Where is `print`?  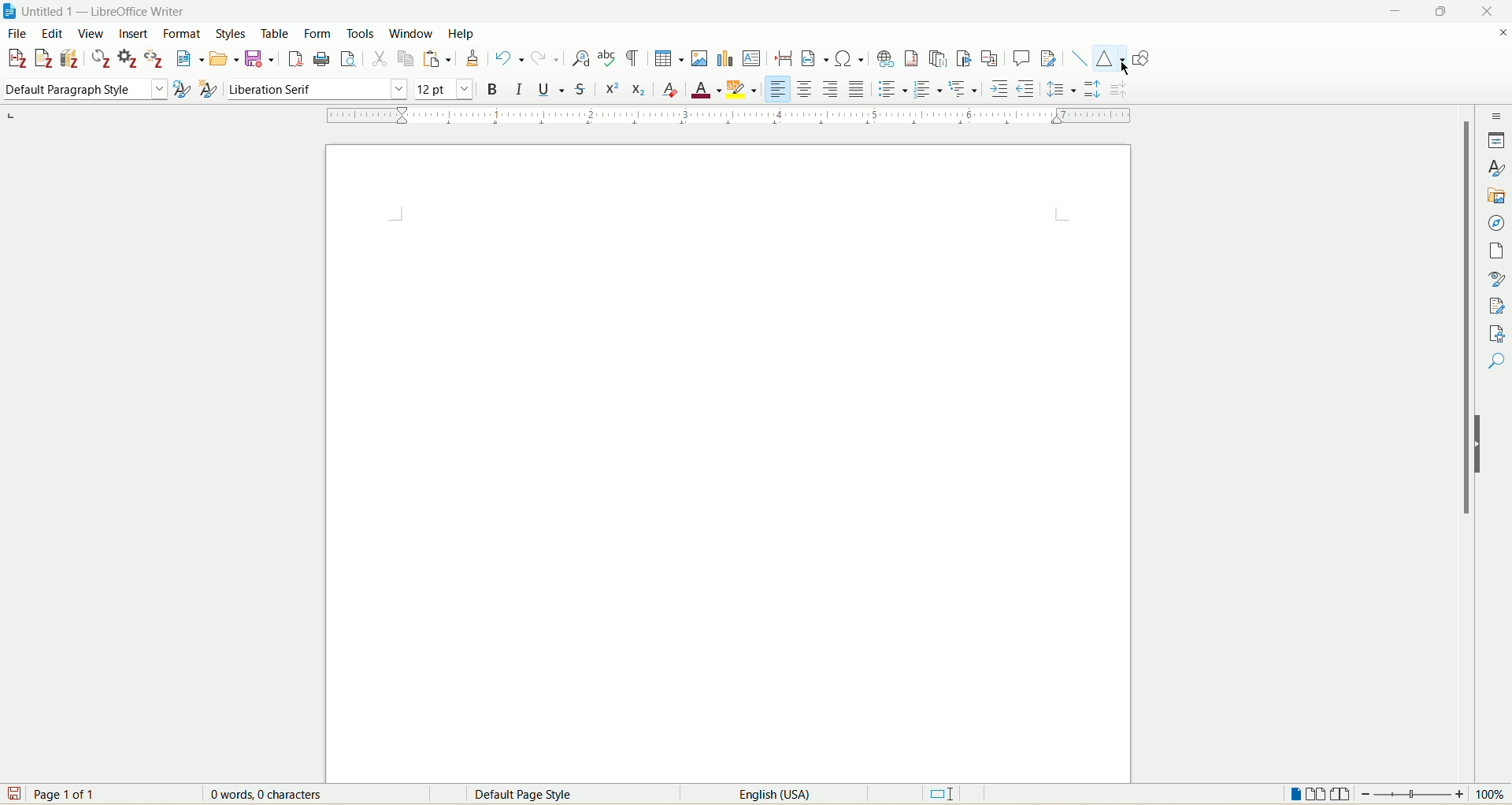 print is located at coordinates (321, 59).